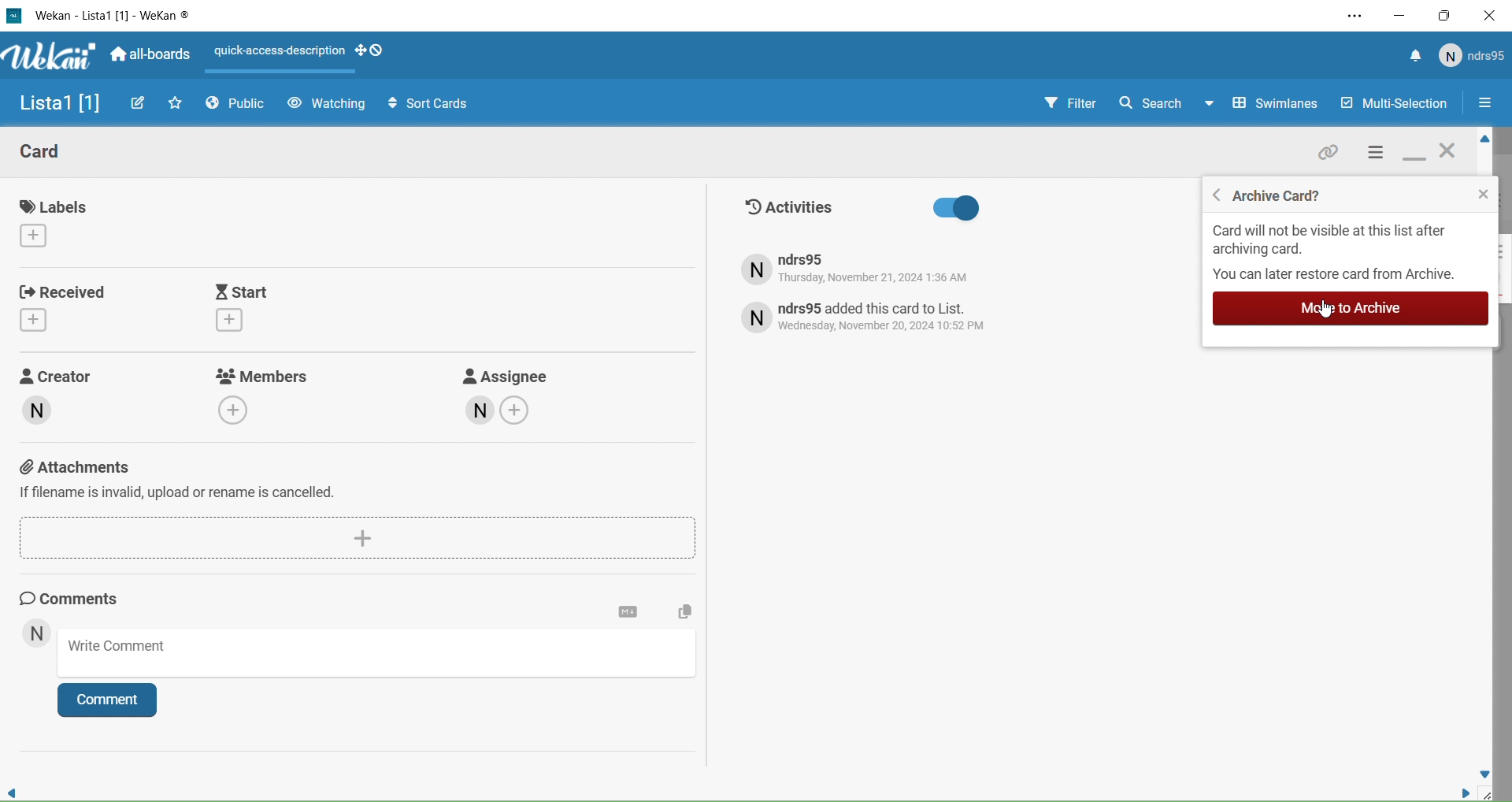  I want to click on Move to archived, so click(1337, 310).